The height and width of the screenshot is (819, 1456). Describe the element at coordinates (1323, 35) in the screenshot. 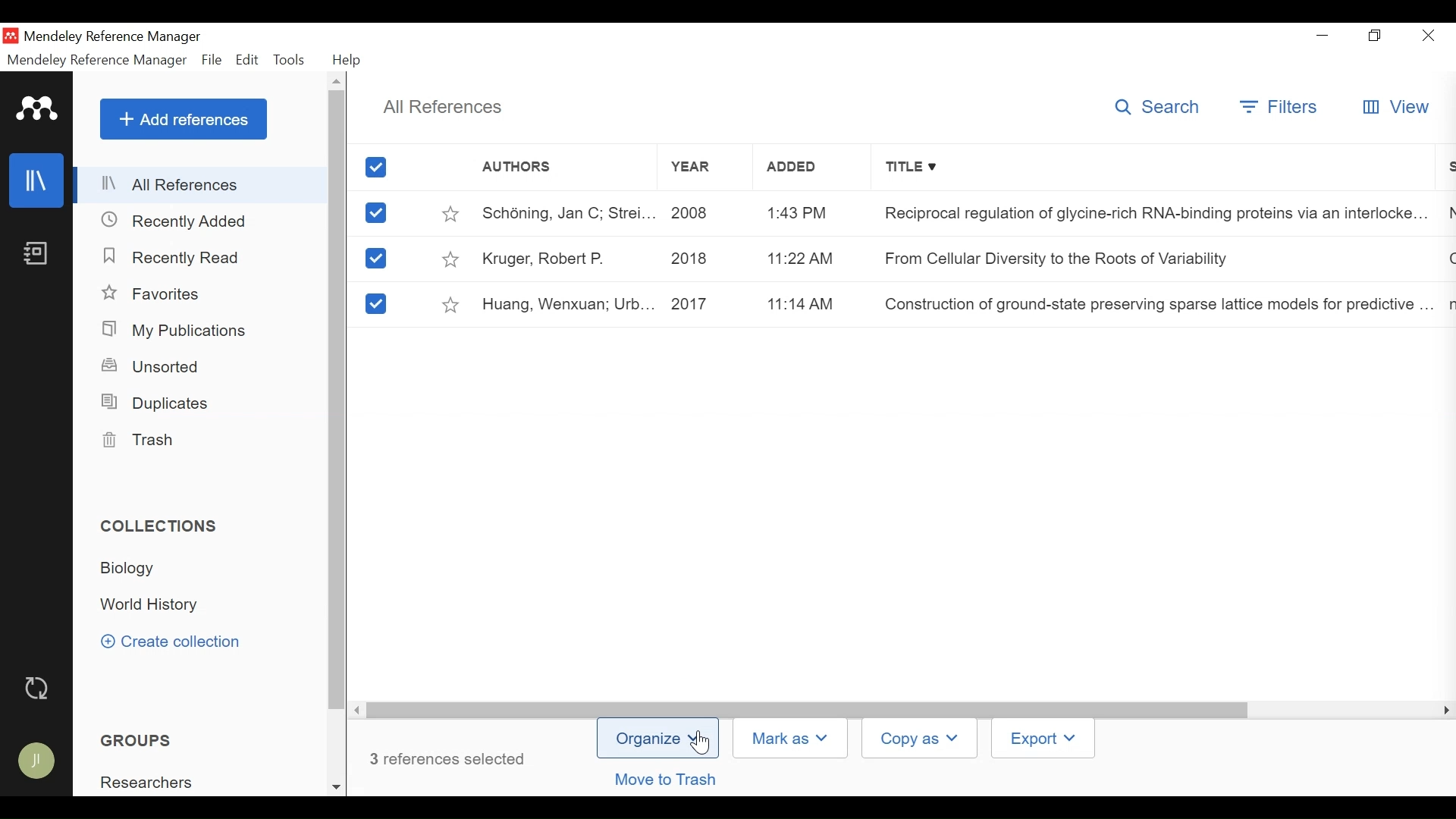

I see `minimize` at that location.